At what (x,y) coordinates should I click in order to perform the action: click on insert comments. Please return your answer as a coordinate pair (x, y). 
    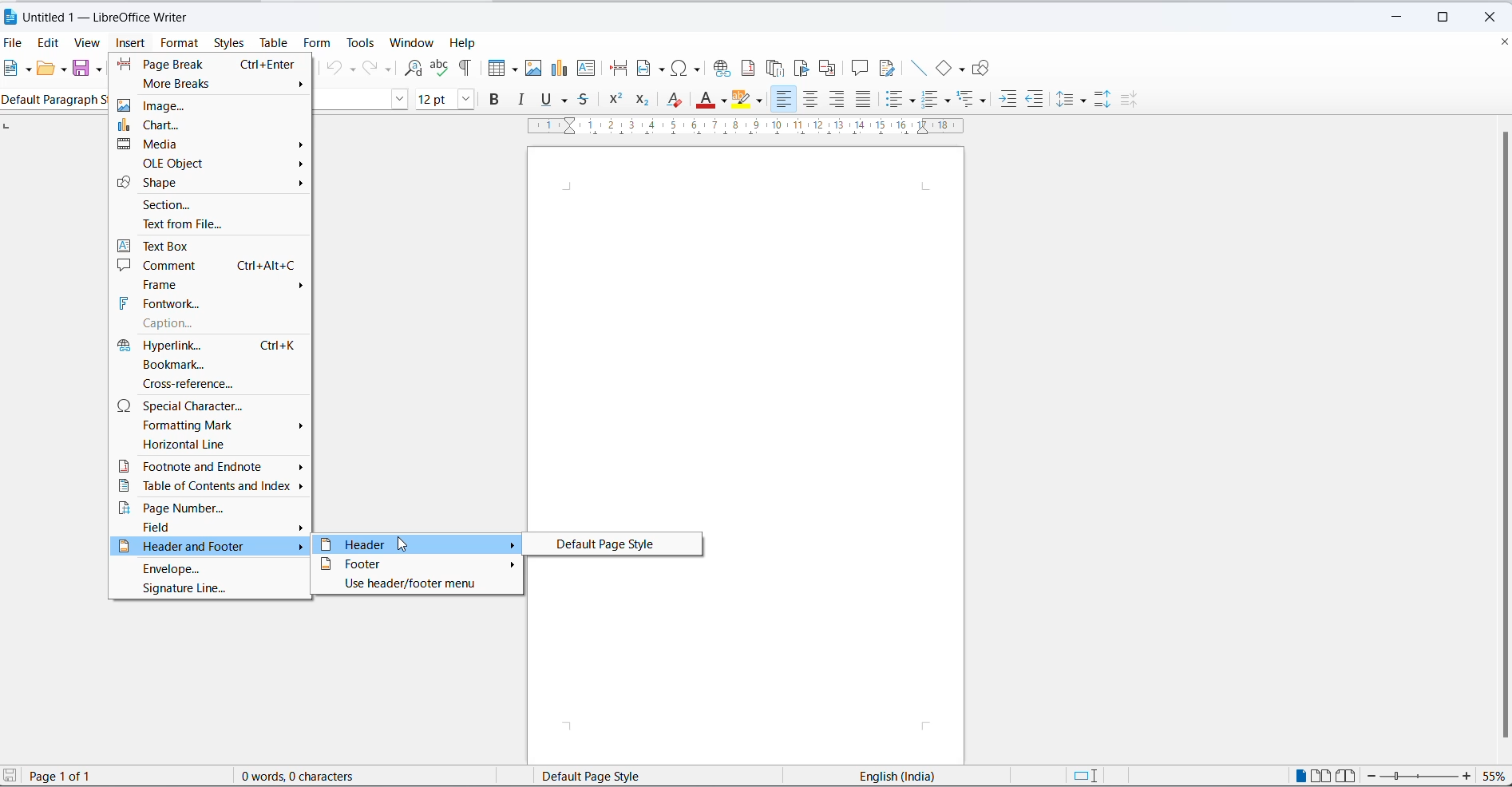
    Looking at the image, I should click on (860, 69).